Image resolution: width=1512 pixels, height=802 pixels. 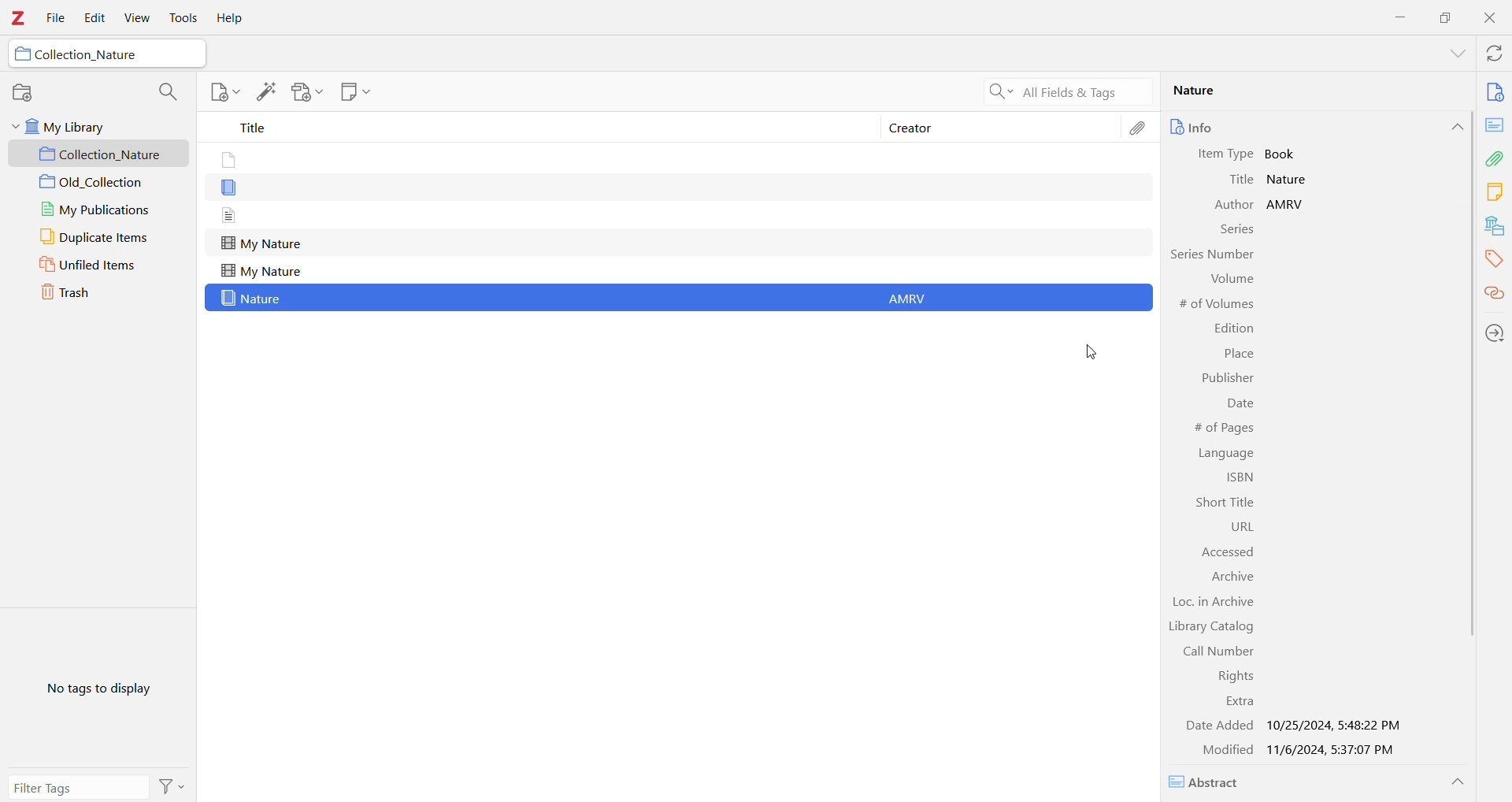 I want to click on AMRV, so click(x=1297, y=203).